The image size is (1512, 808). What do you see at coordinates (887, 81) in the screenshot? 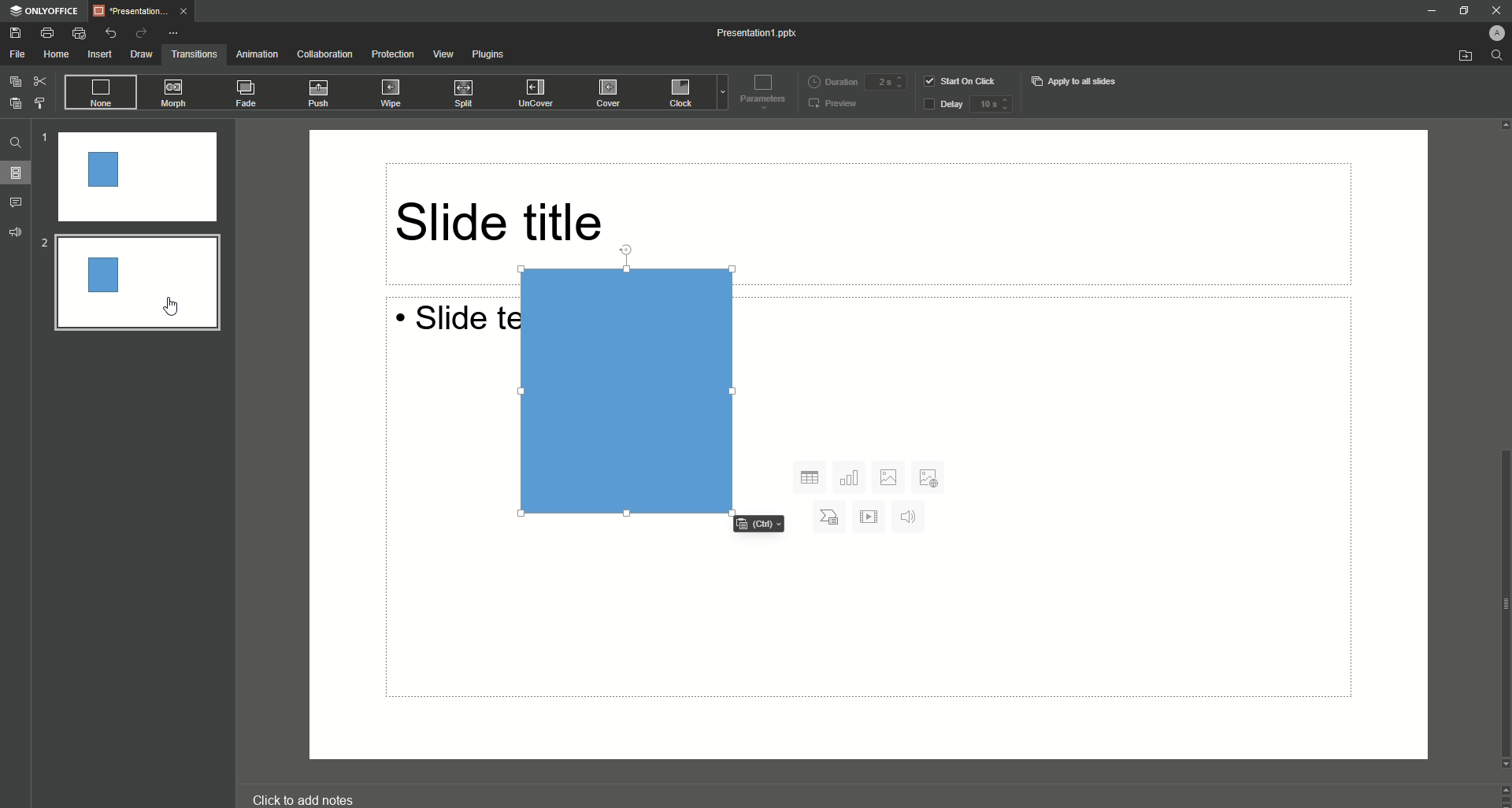
I see `Duration input` at bounding box center [887, 81].